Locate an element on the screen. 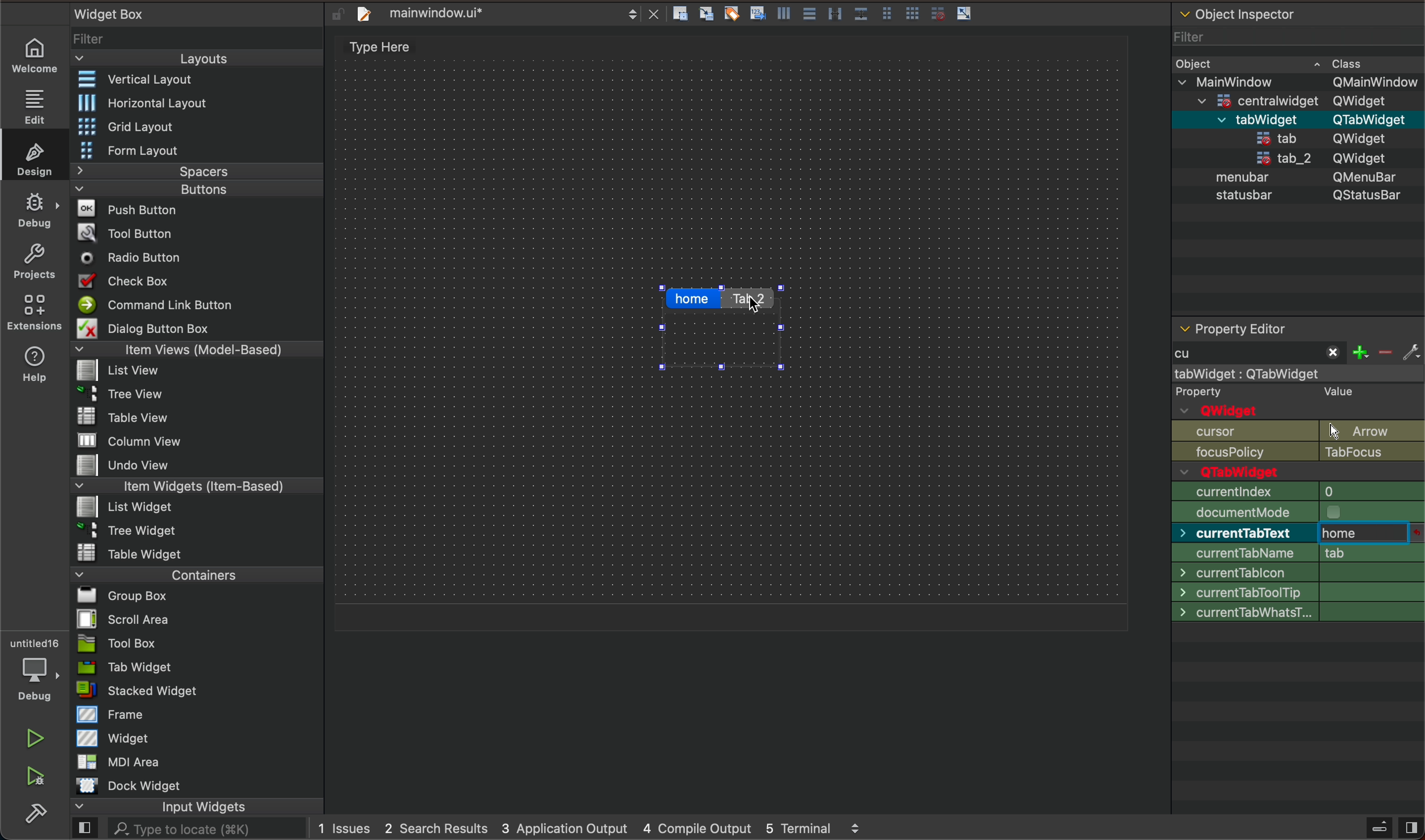 Image resolution: width=1425 pixels, height=840 pixels. ~ 3 Tree Widget is located at coordinates (119, 530).